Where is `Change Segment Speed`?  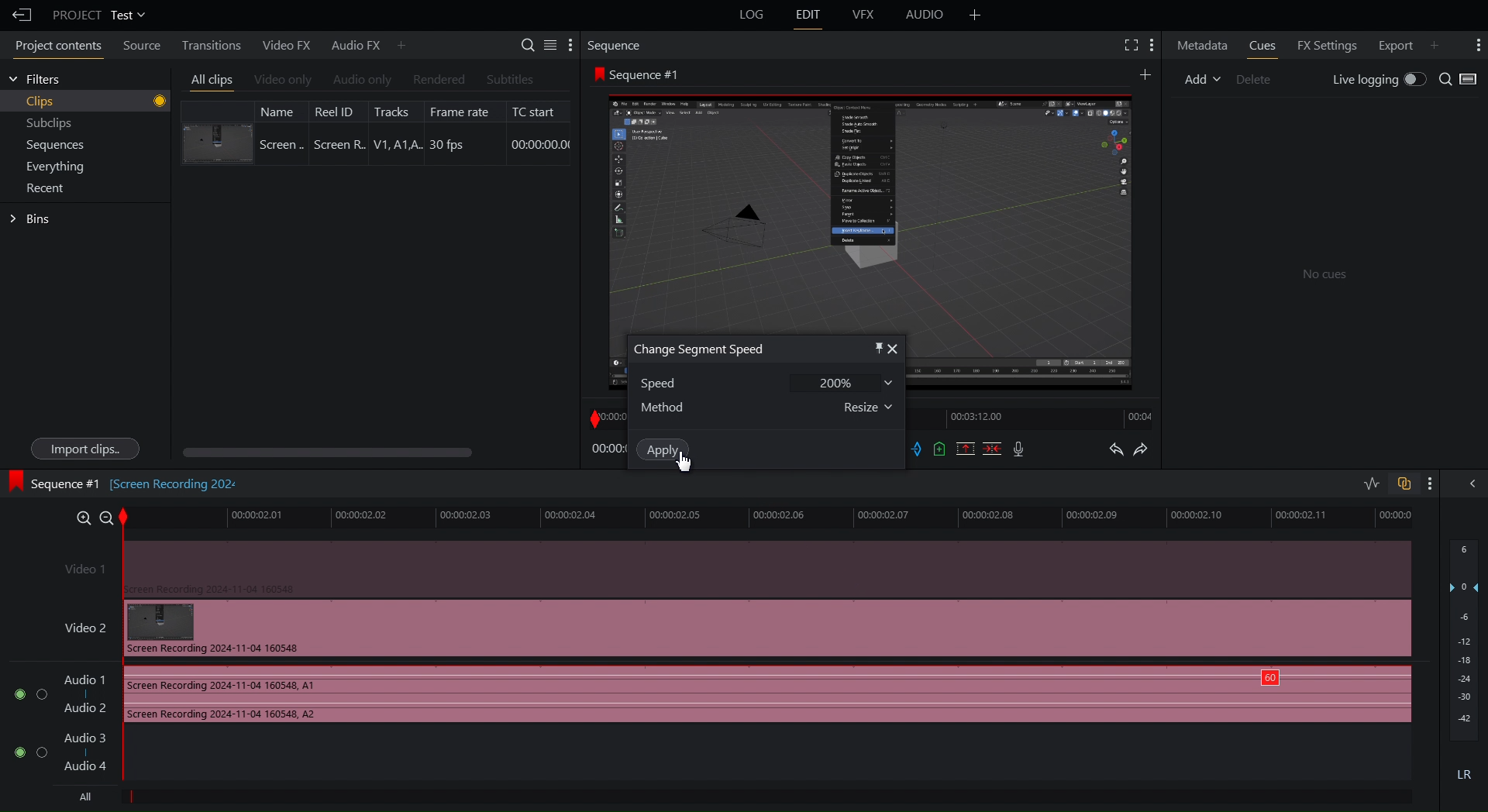 Change Segment Speed is located at coordinates (700, 349).